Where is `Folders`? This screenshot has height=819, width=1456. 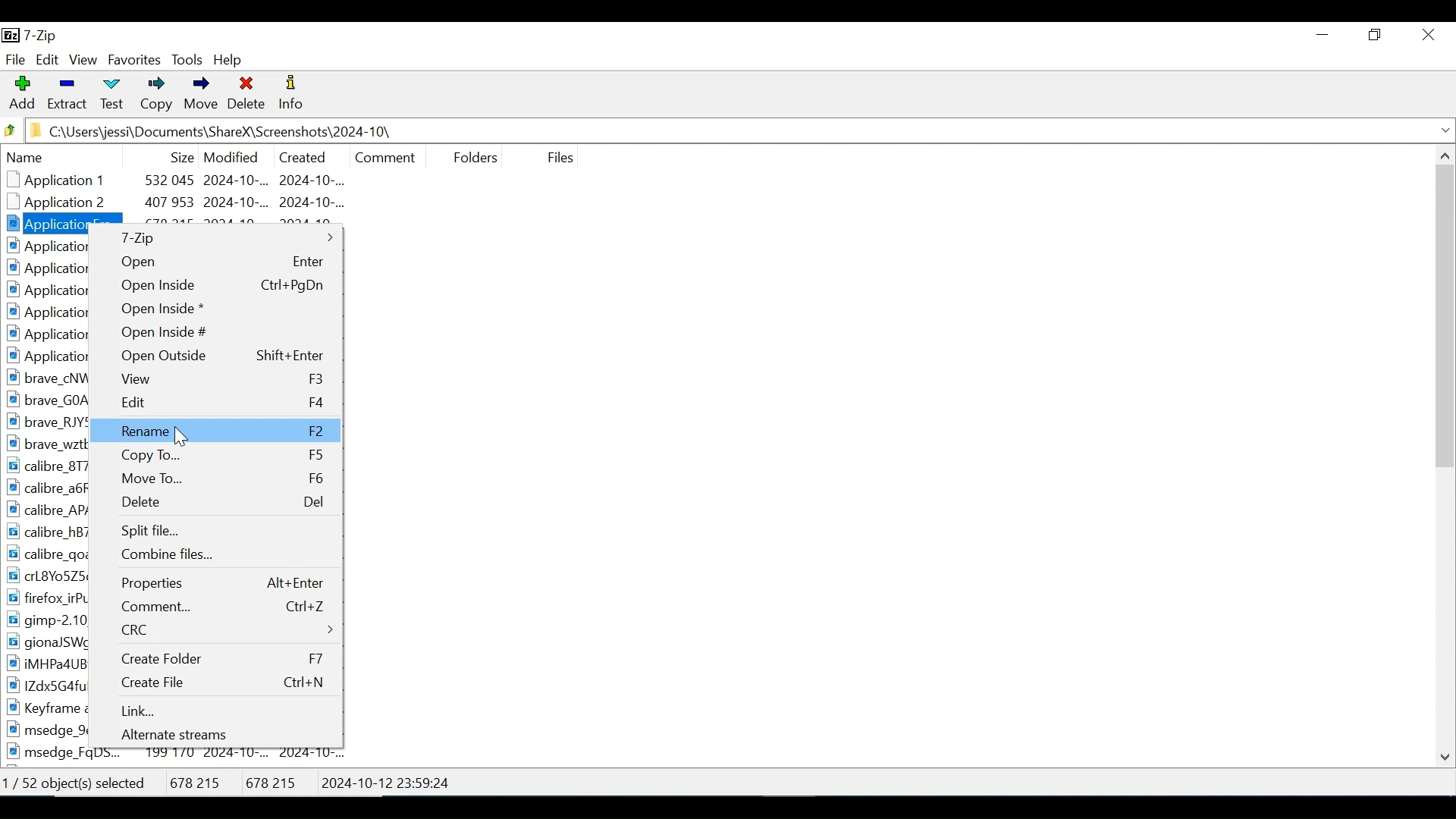 Folders is located at coordinates (471, 155).